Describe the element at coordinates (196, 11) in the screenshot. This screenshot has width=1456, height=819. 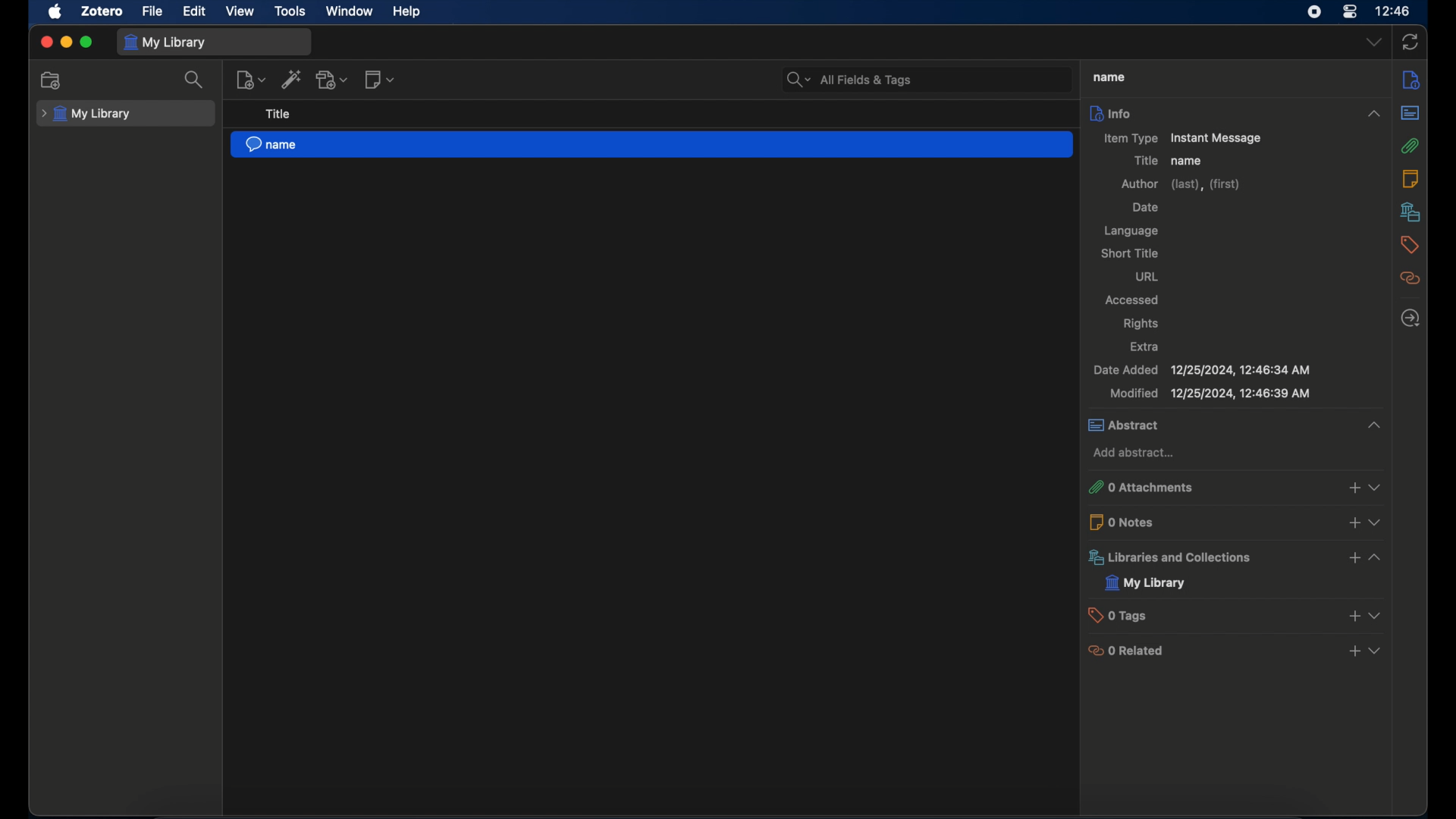
I see `edit` at that location.